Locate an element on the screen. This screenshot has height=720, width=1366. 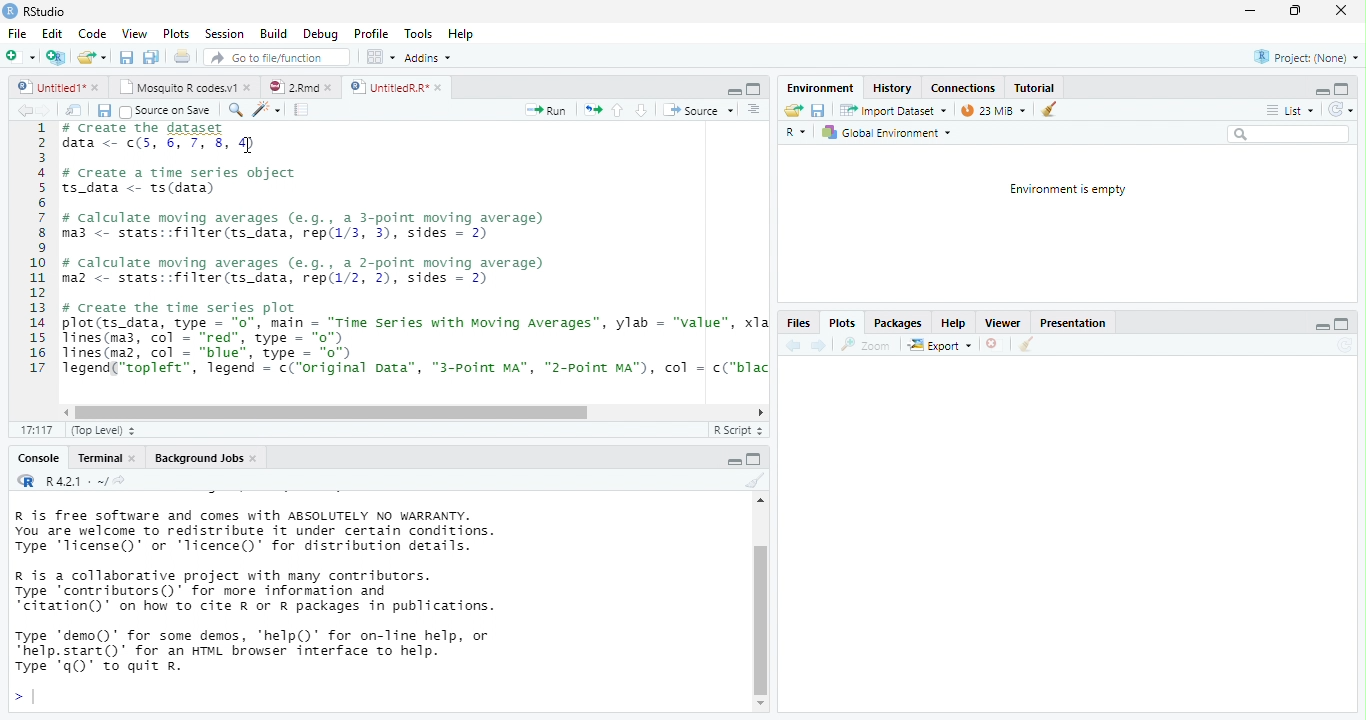
close is located at coordinates (136, 459).